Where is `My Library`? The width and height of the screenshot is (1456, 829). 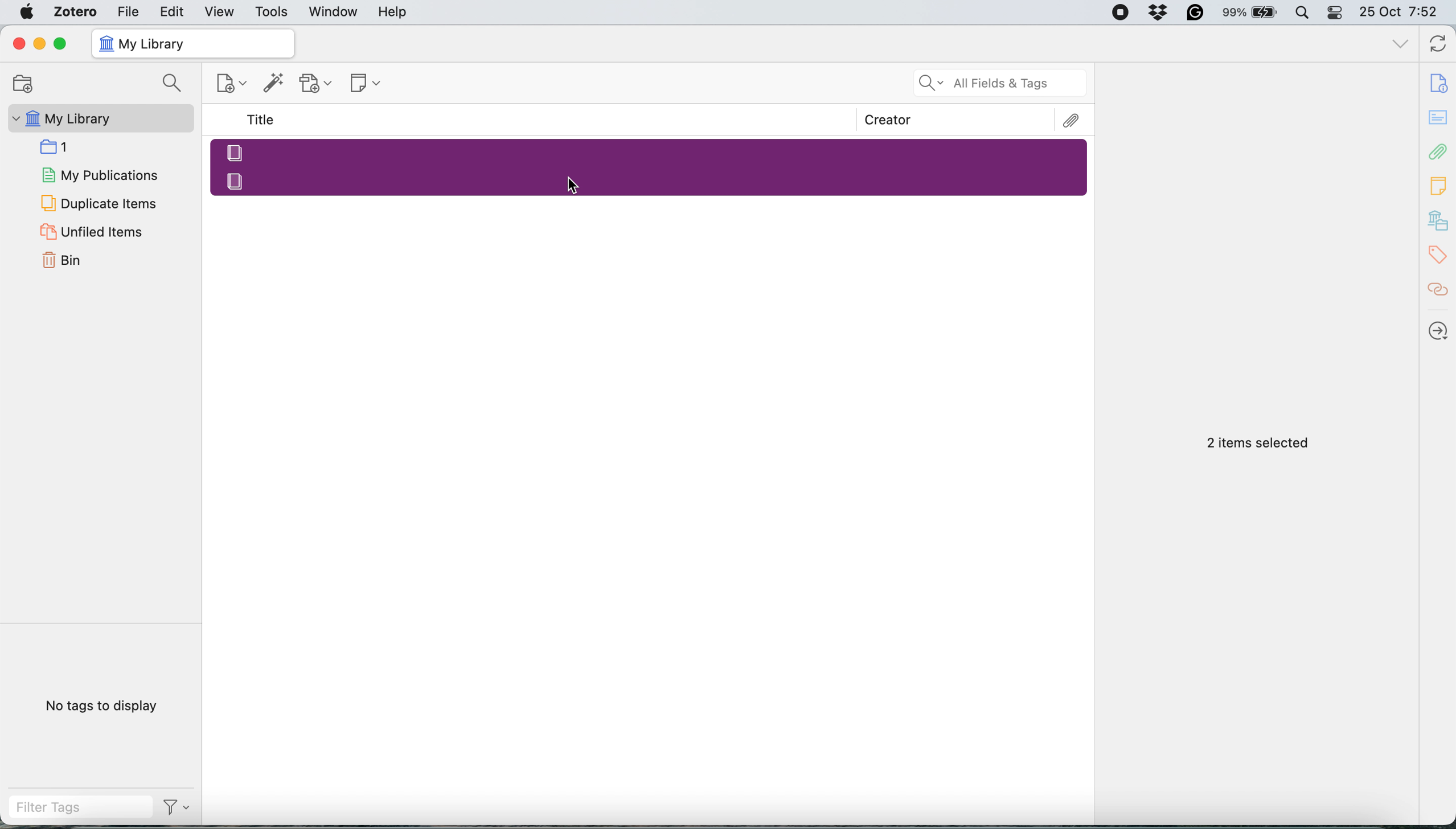
My Library is located at coordinates (192, 44).